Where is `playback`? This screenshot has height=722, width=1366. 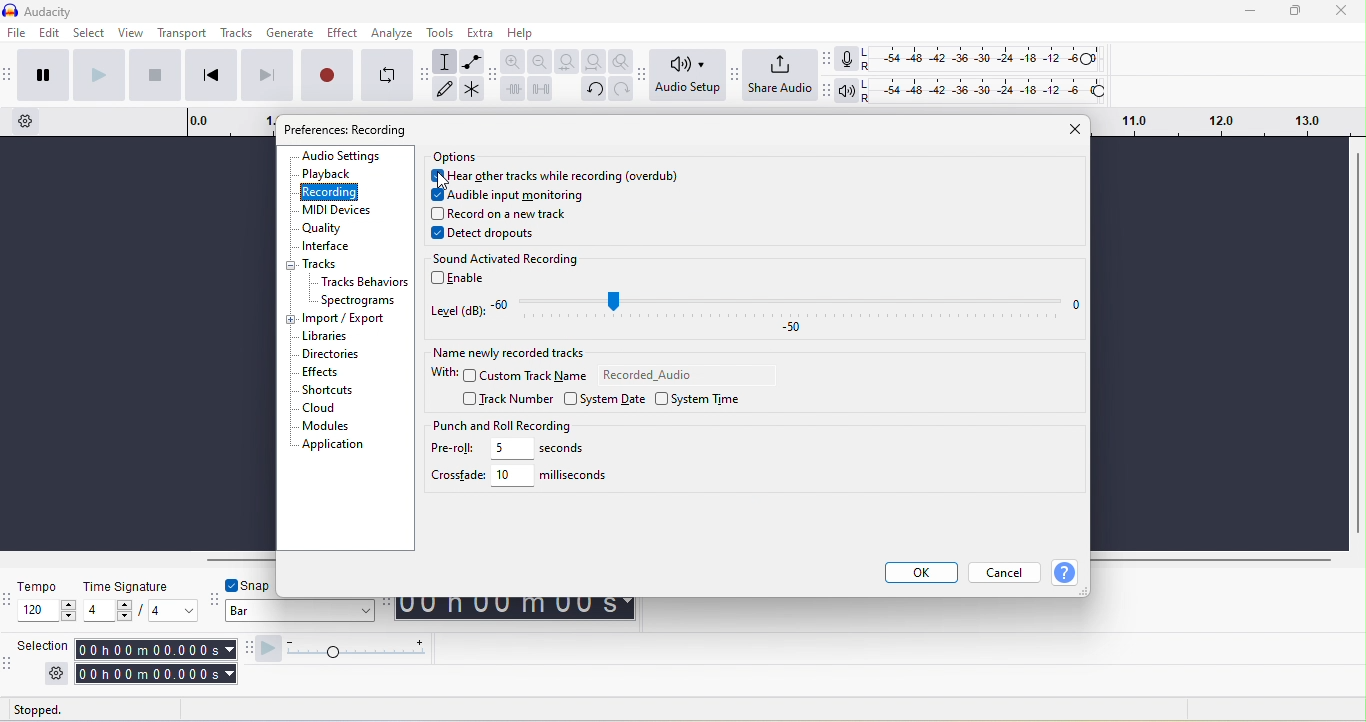 playback is located at coordinates (333, 176).